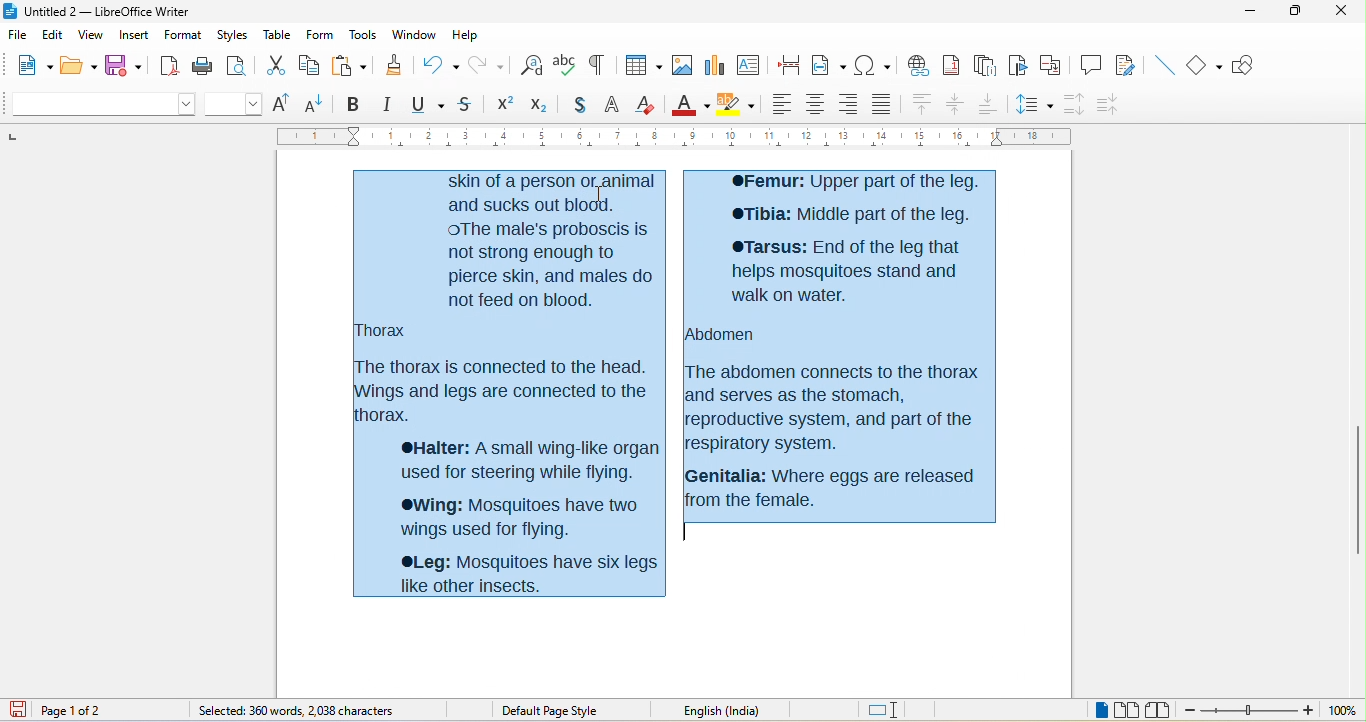  I want to click on view, so click(91, 35).